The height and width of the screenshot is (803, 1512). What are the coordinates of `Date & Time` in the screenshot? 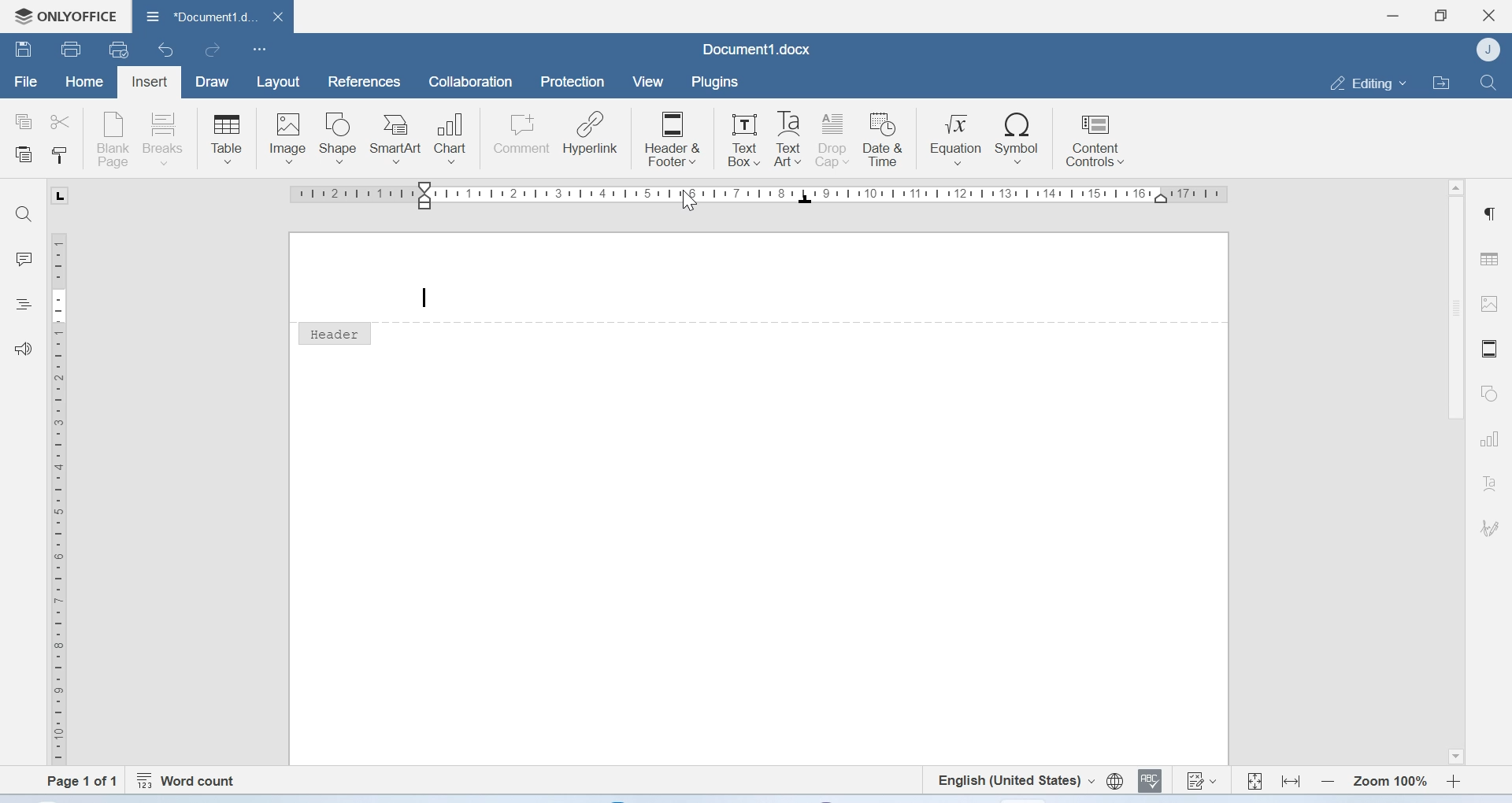 It's located at (887, 139).